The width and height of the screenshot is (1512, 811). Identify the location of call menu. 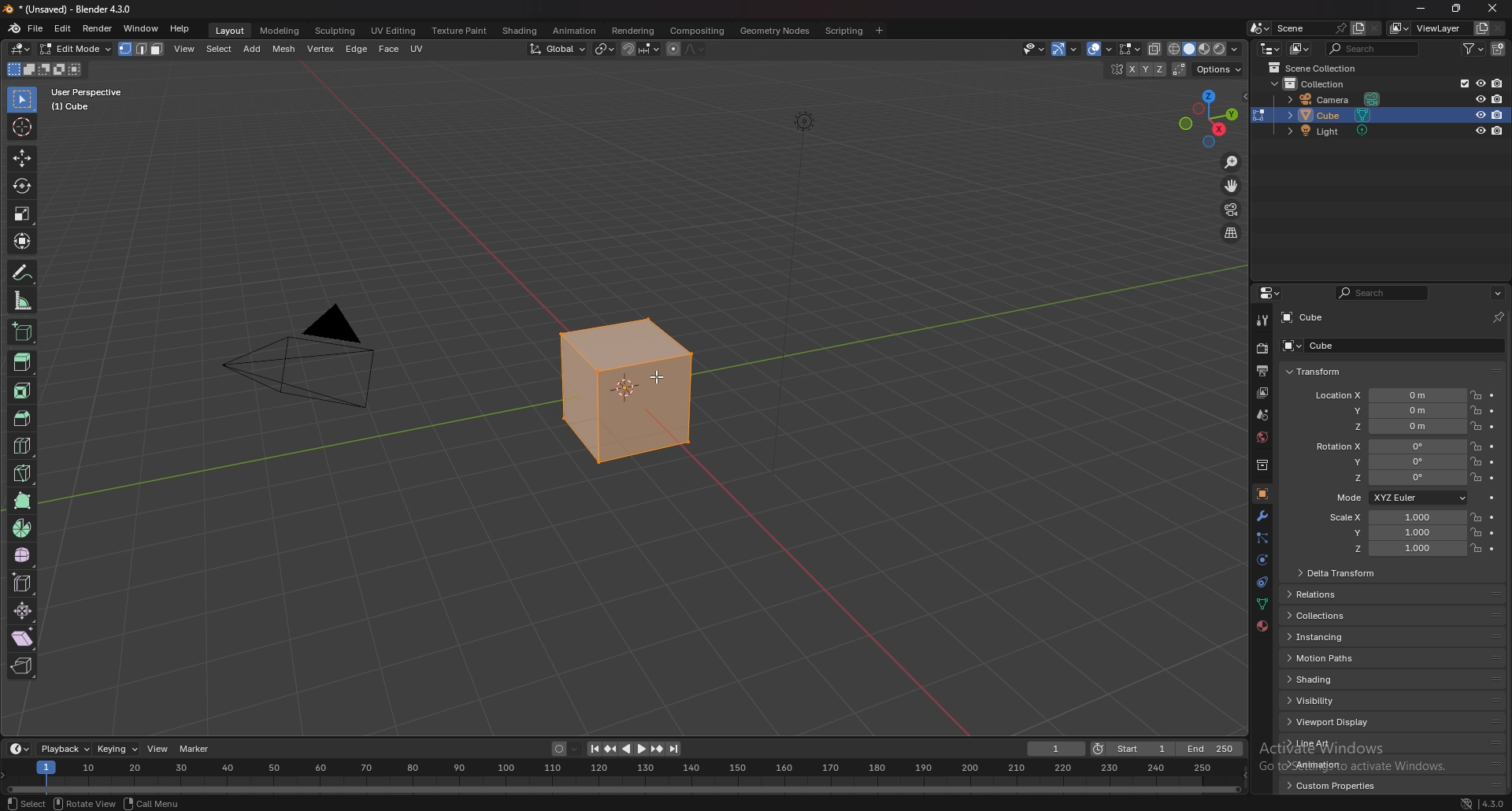
(155, 804).